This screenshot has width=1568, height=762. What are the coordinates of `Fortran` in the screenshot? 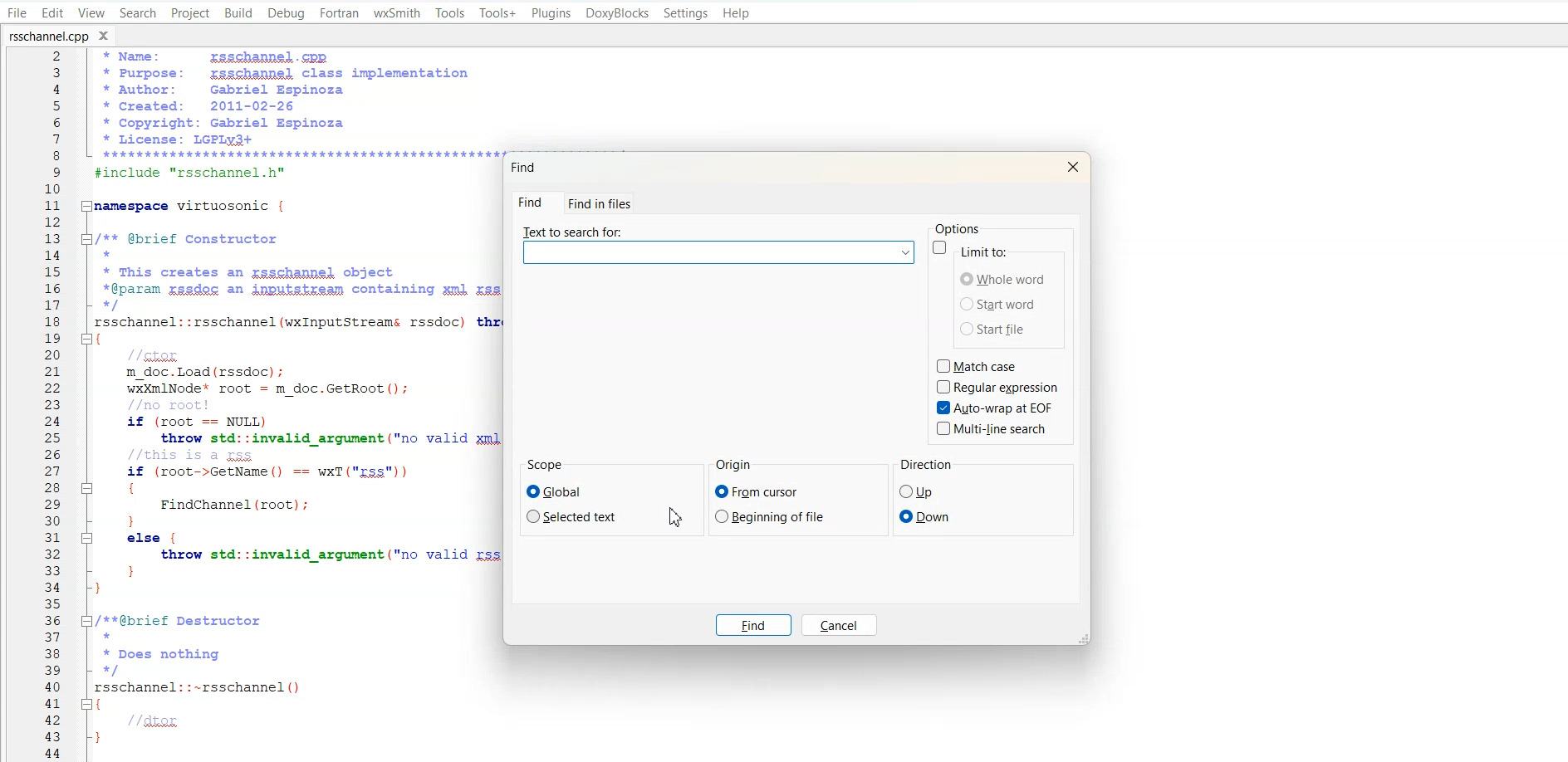 It's located at (338, 13).